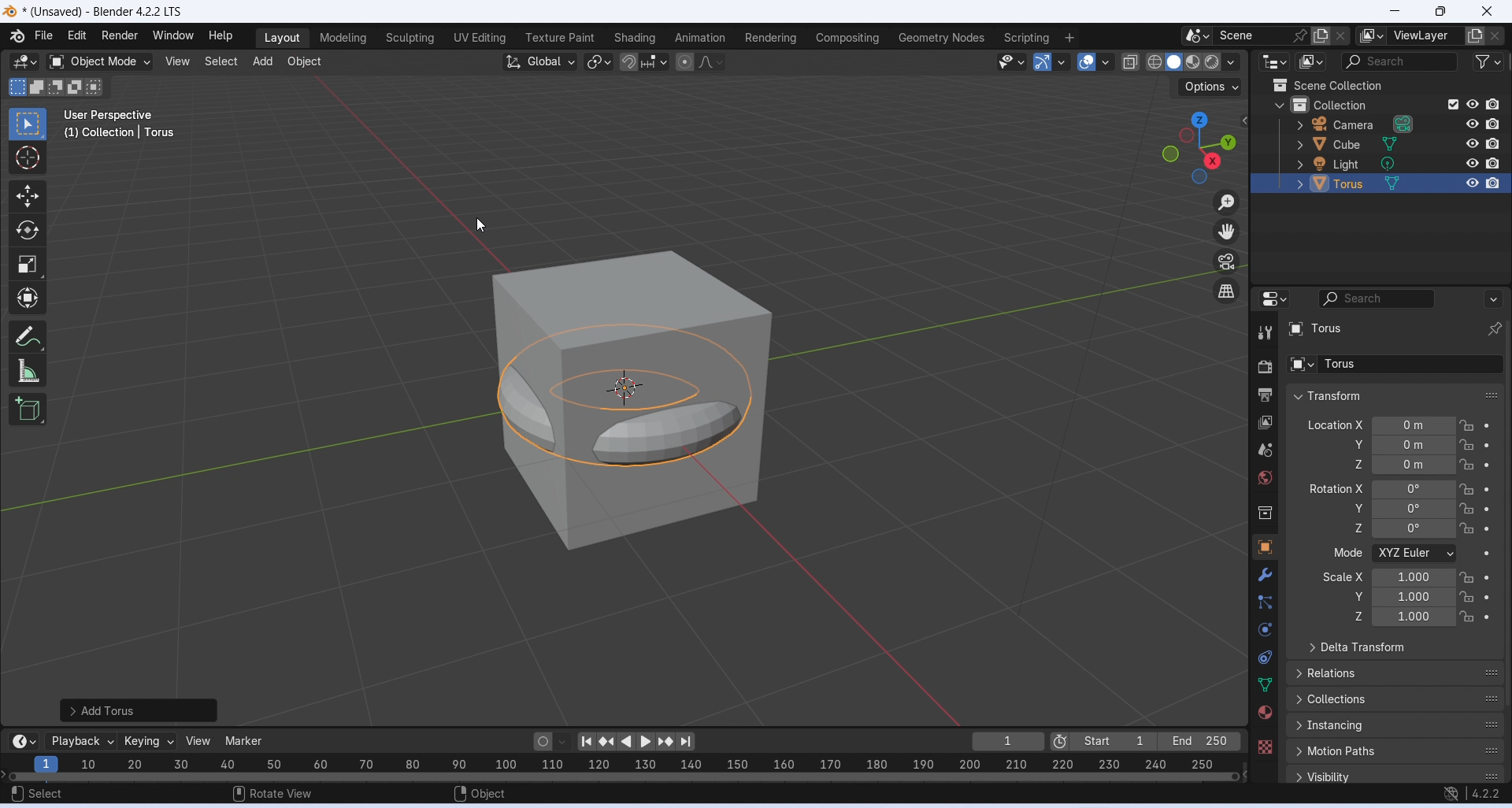 This screenshot has height=808, width=1512. I want to click on options, so click(1197, 36).